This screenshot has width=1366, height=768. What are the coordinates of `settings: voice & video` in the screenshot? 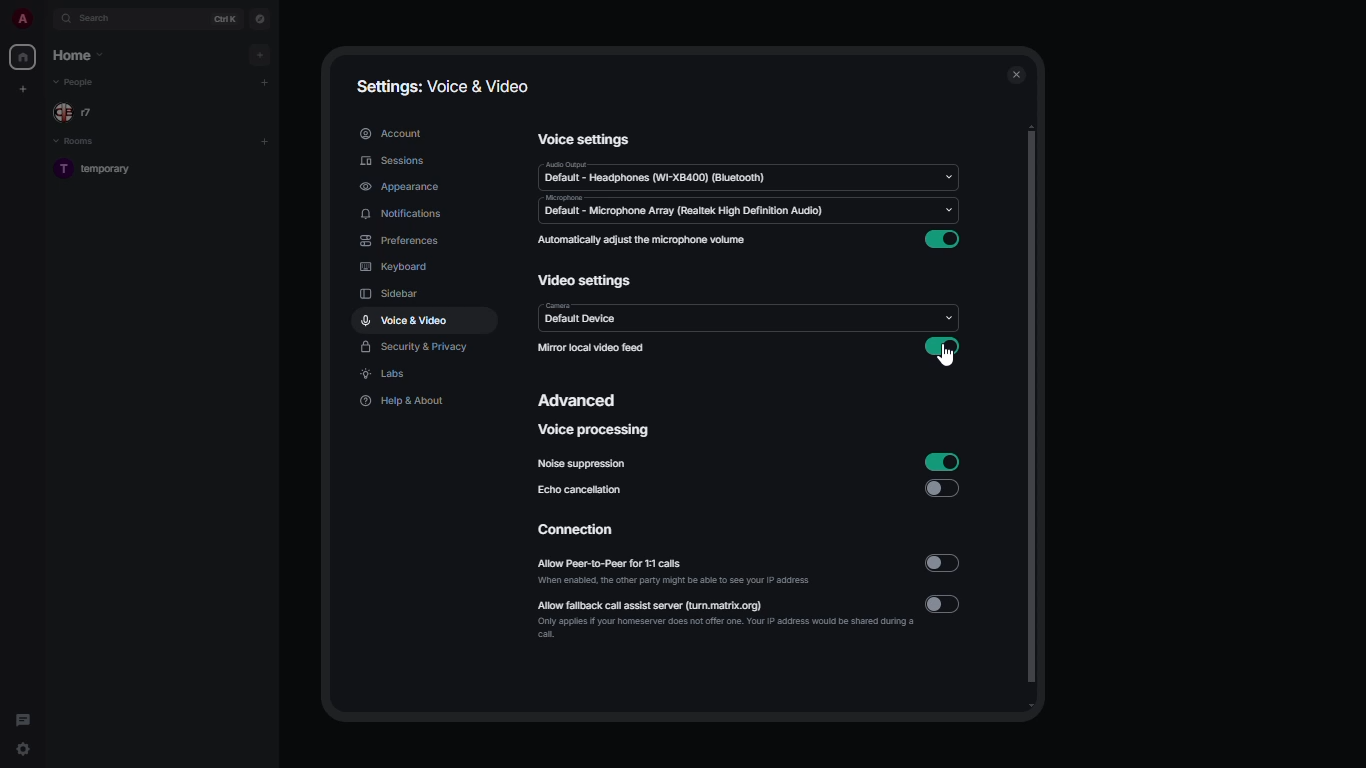 It's located at (439, 84).